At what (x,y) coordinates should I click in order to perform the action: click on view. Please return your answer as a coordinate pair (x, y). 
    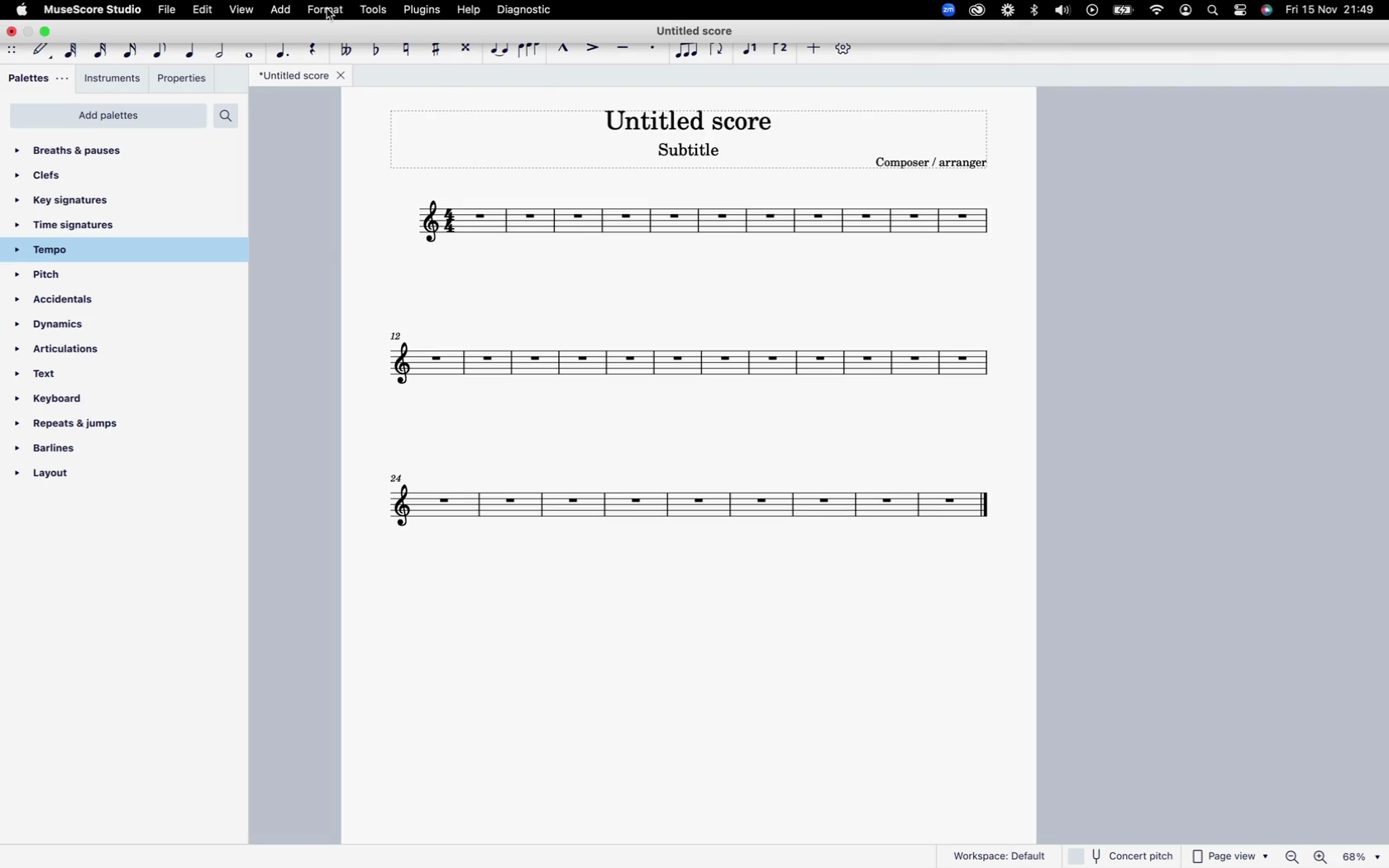
    Looking at the image, I should click on (241, 9).